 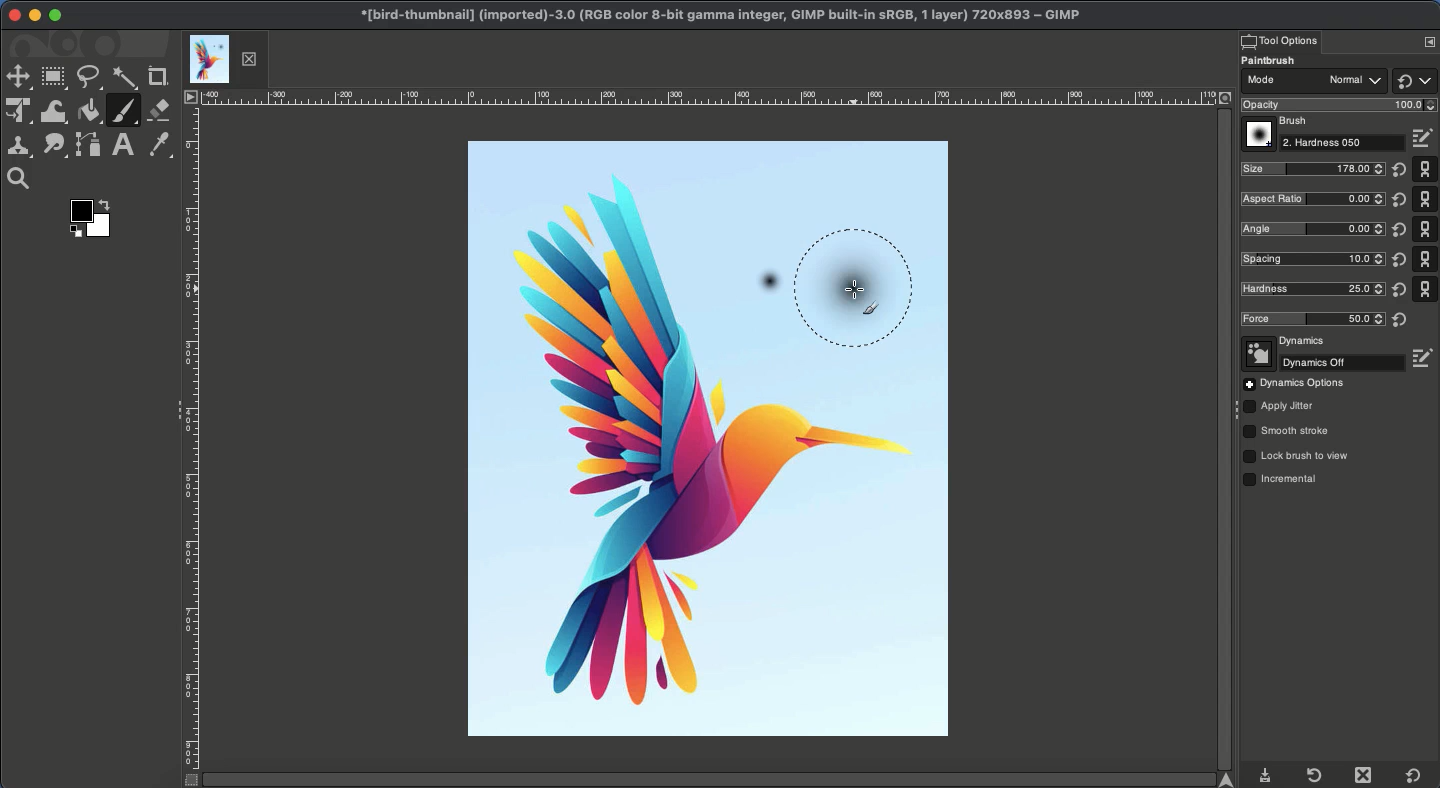 I want to click on Tab, so click(x=224, y=59).